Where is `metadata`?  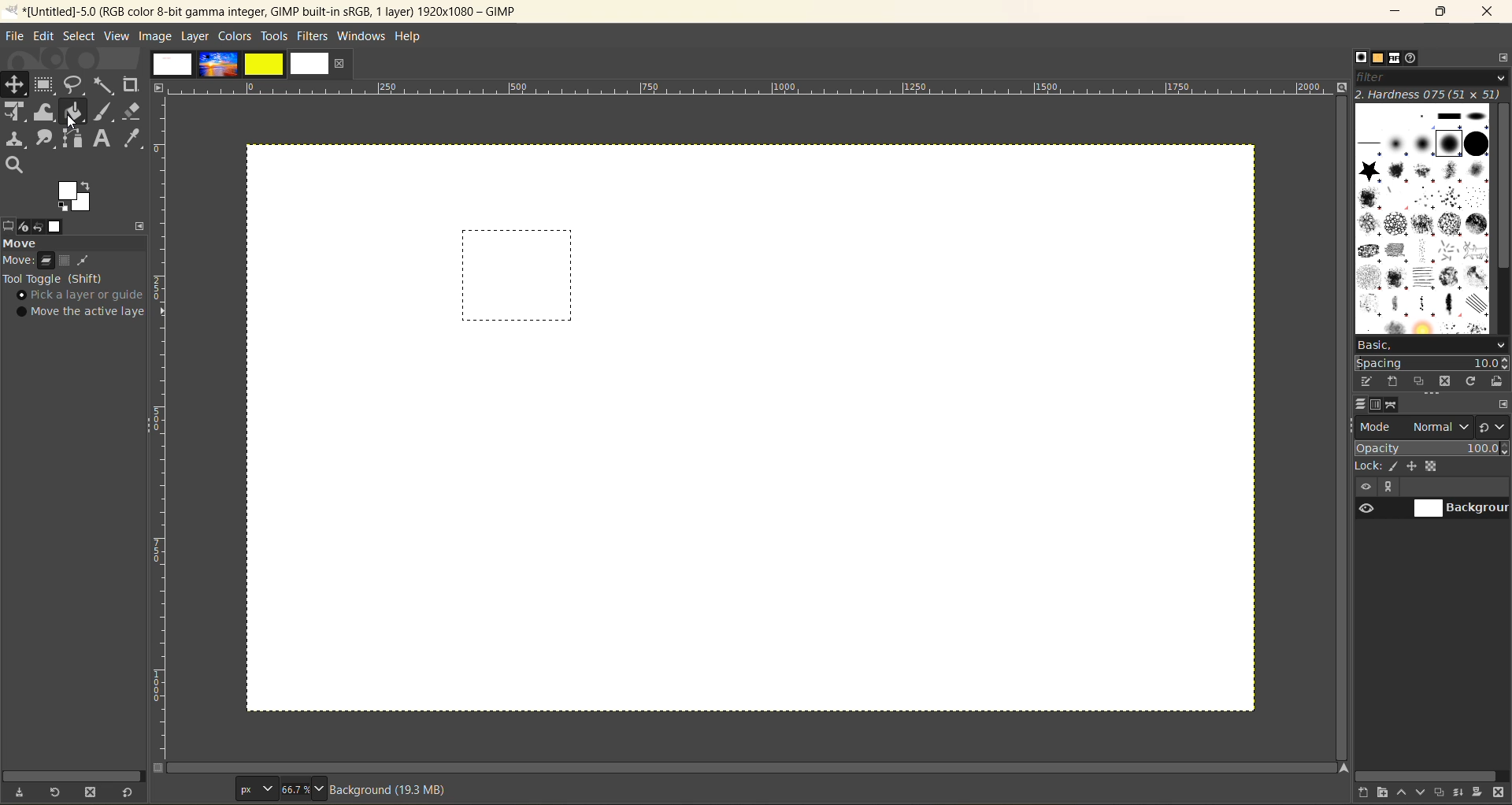
metadata is located at coordinates (396, 789).